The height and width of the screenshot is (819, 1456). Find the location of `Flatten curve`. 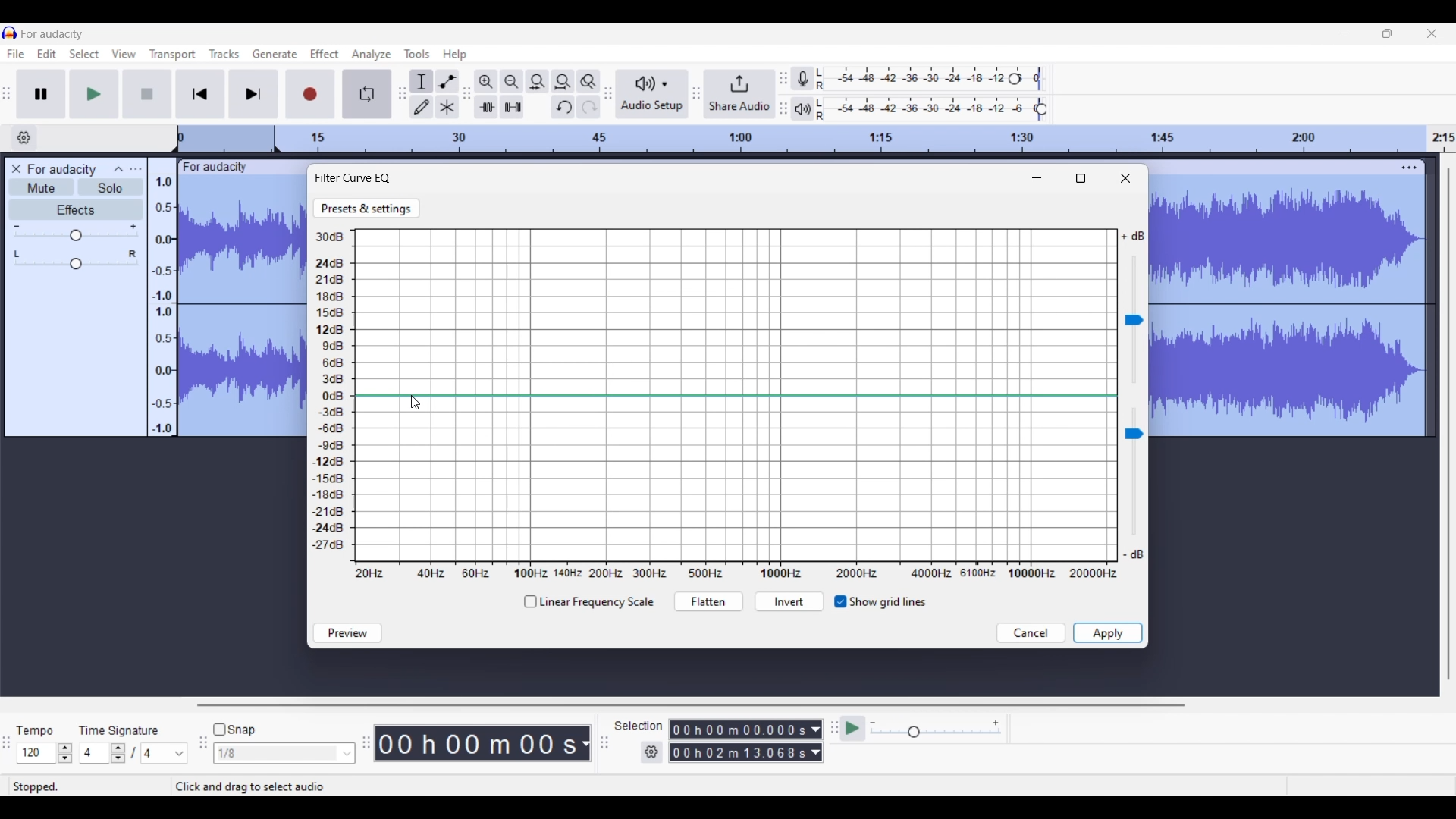

Flatten curve is located at coordinates (708, 602).